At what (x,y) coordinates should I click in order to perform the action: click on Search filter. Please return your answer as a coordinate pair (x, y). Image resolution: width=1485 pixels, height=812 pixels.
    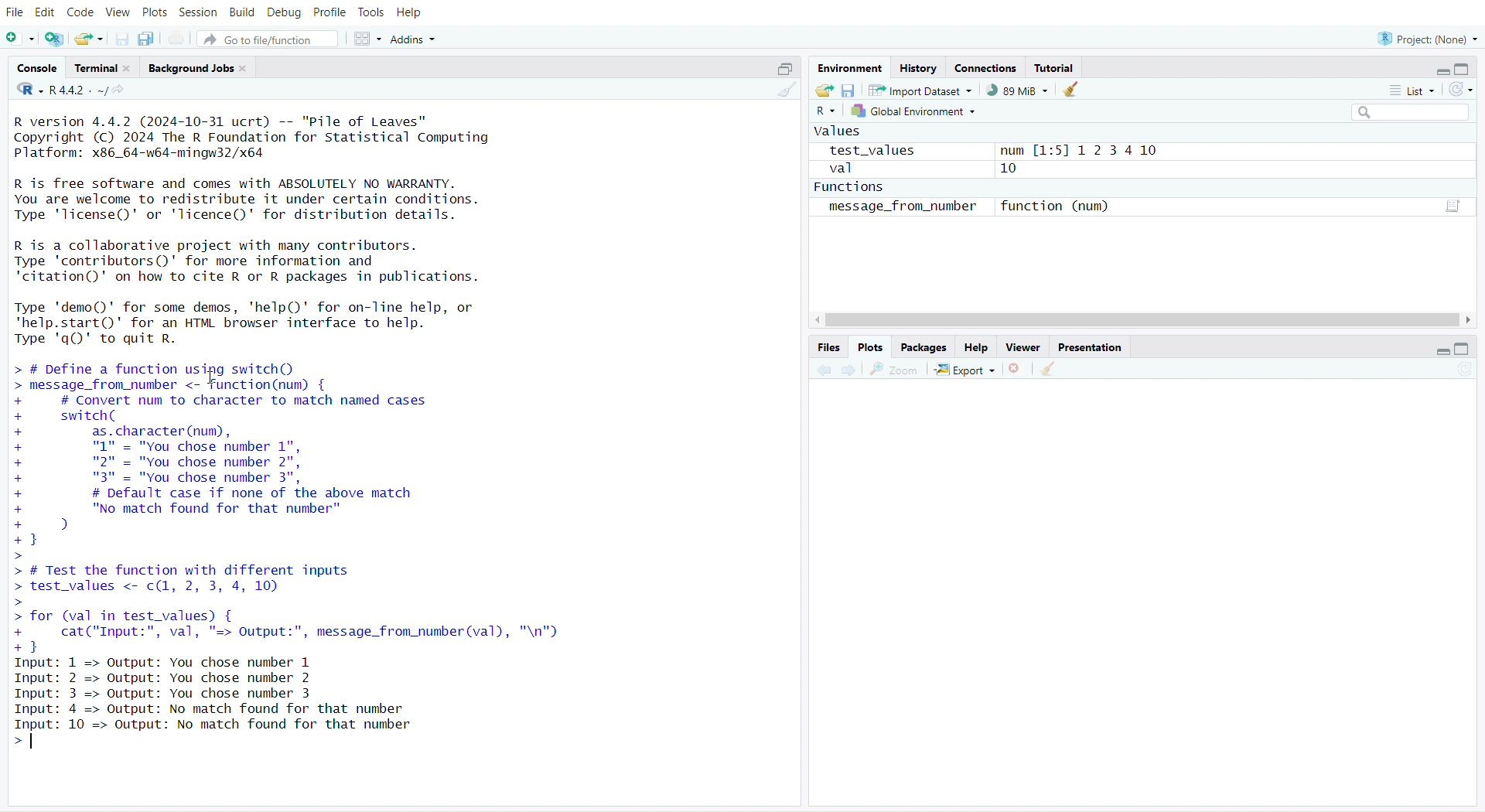
    Looking at the image, I should click on (1412, 113).